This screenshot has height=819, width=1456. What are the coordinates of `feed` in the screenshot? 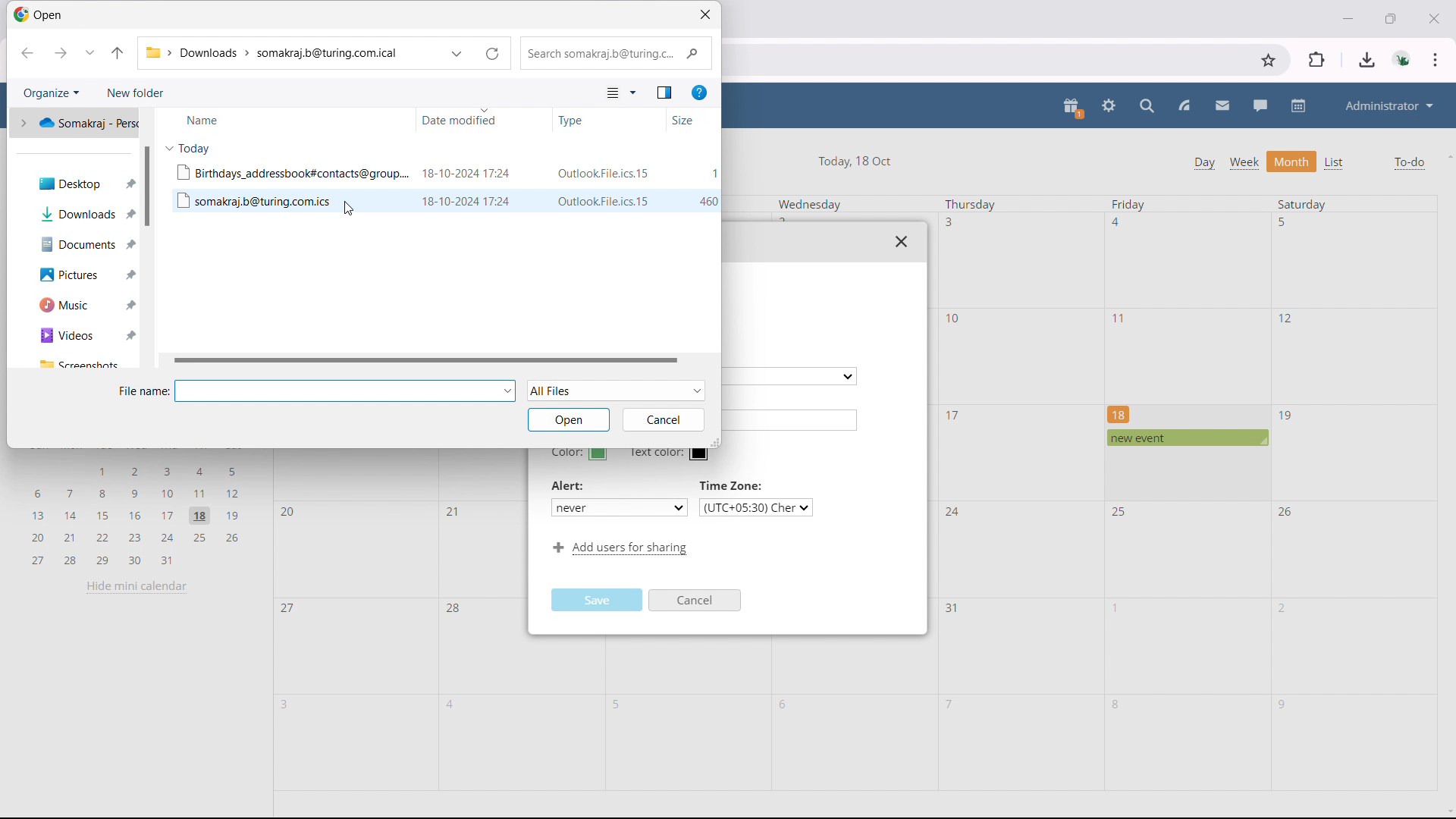 It's located at (1183, 106).